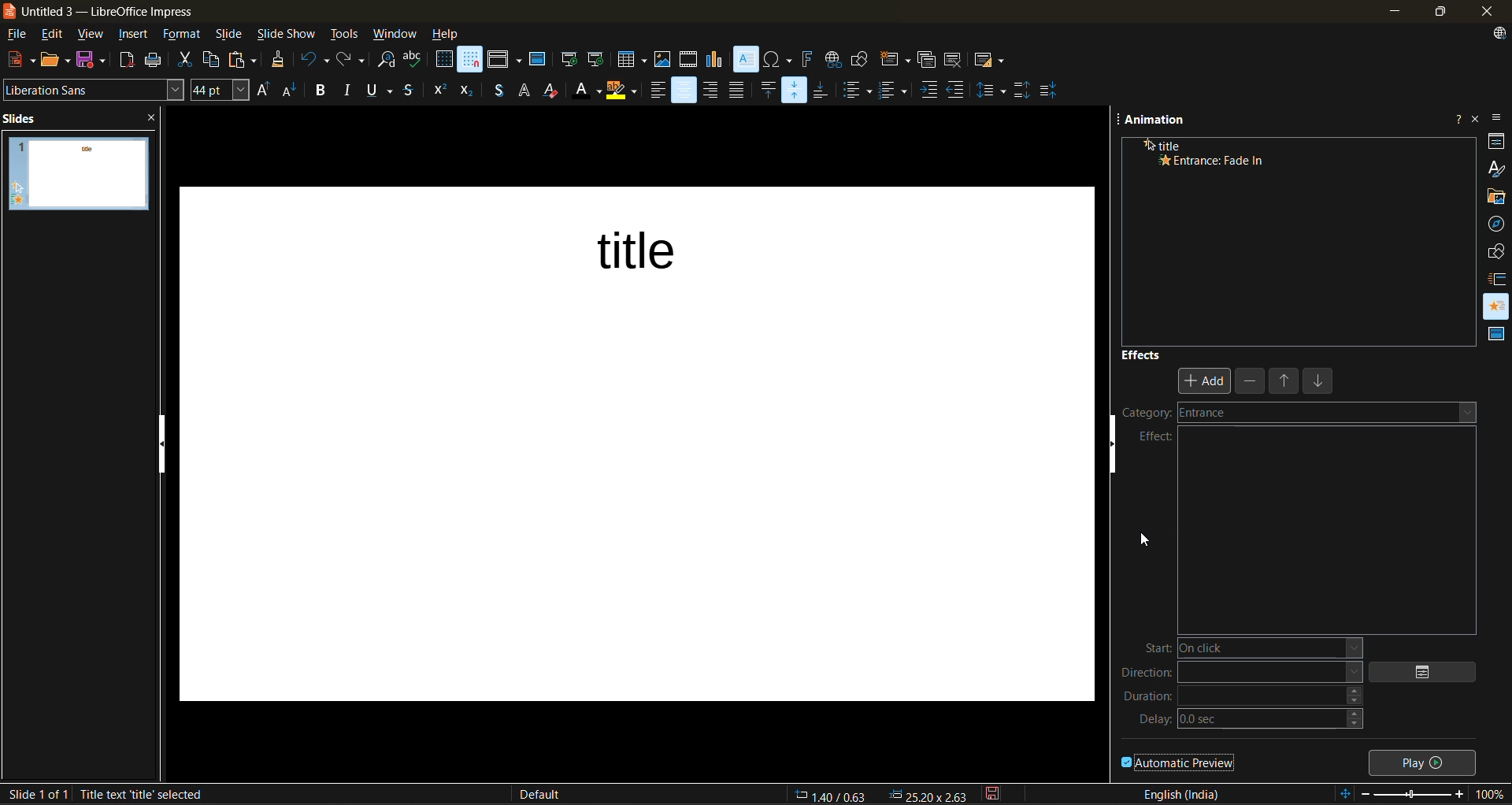 The width and height of the screenshot is (1512, 805). What do you see at coordinates (1417, 796) in the screenshot?
I see `zoom slider` at bounding box center [1417, 796].